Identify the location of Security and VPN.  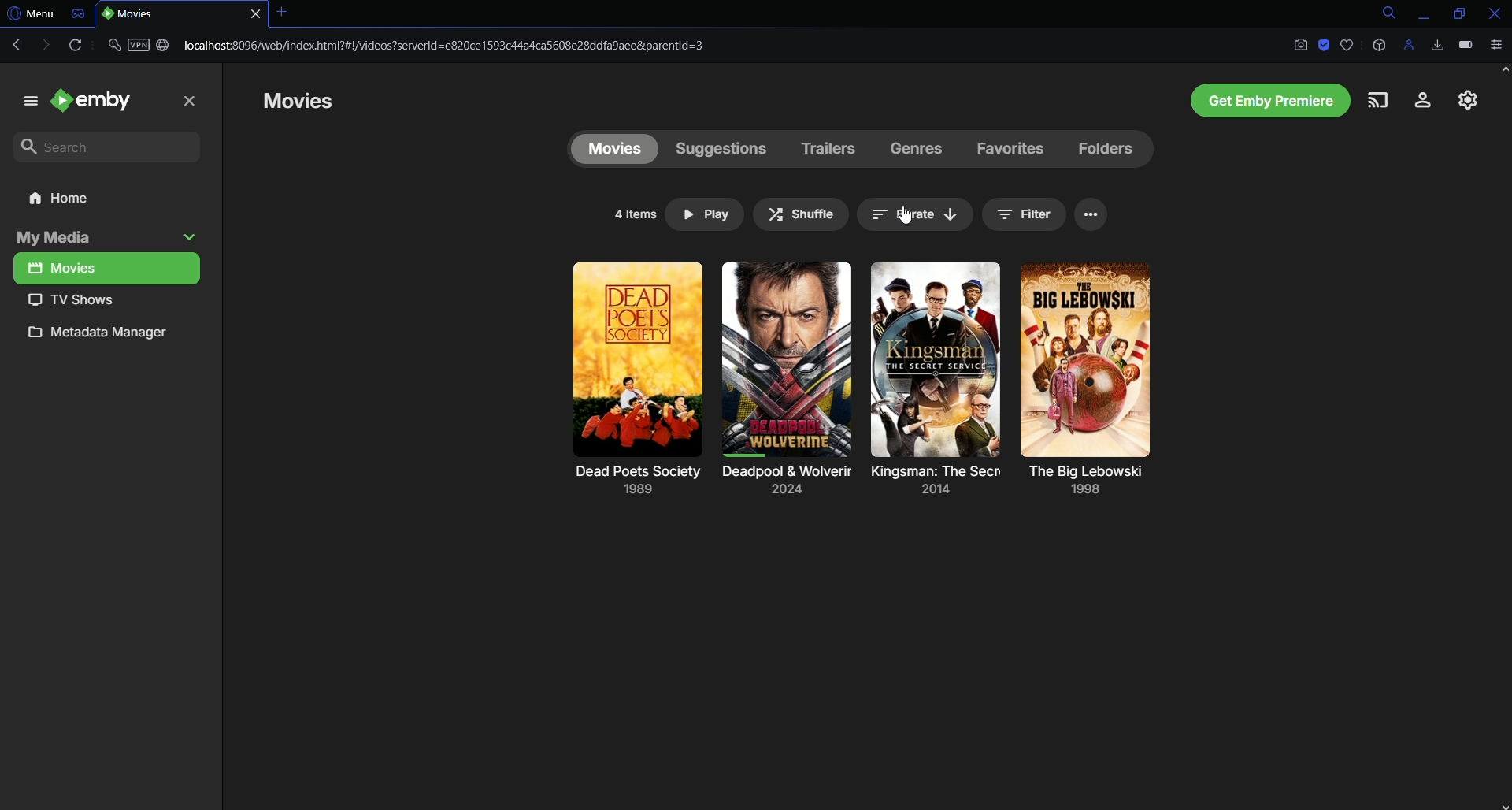
(139, 49).